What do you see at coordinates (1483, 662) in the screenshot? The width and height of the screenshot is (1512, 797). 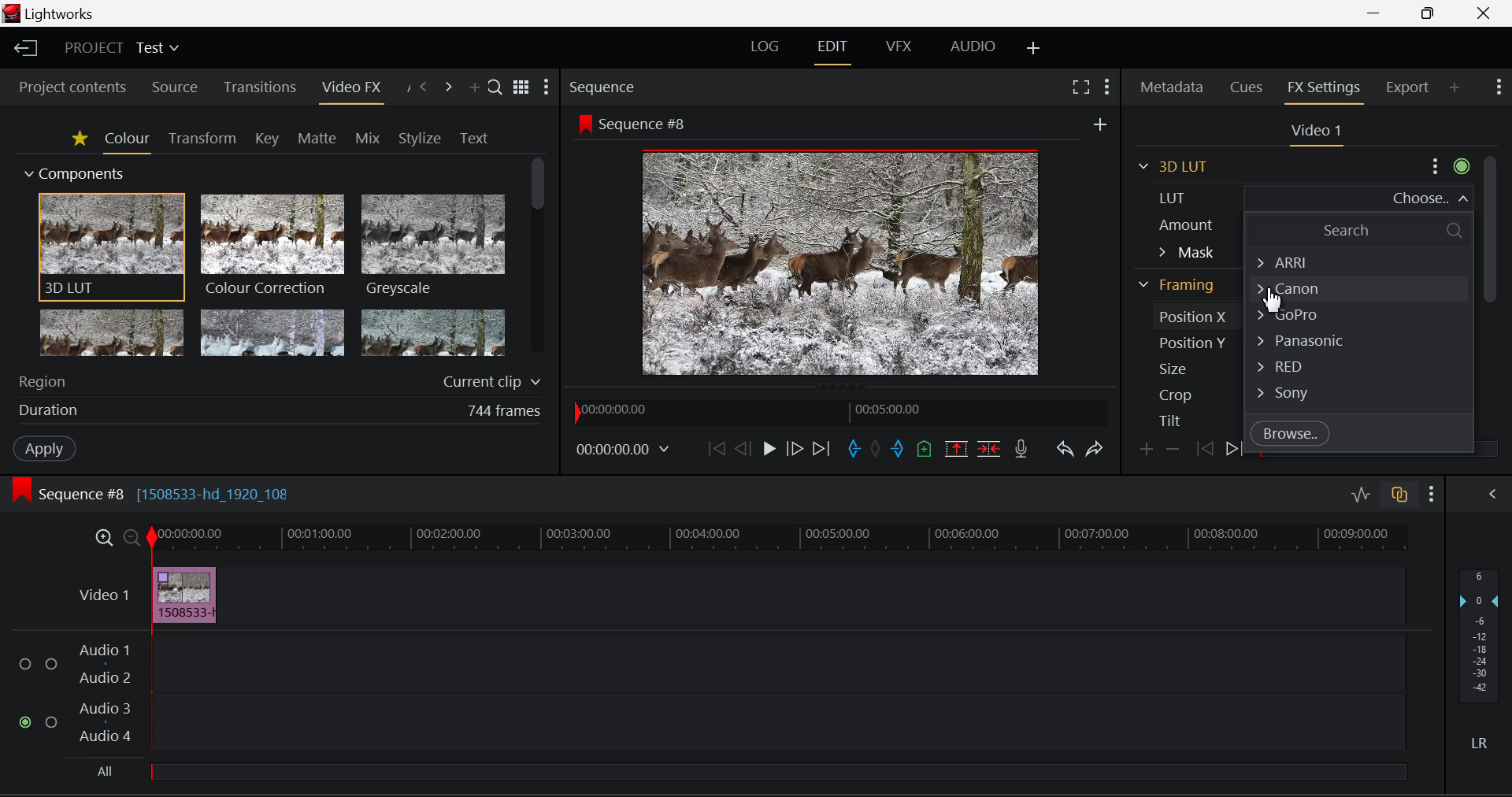 I see `Decibel Level` at bounding box center [1483, 662].